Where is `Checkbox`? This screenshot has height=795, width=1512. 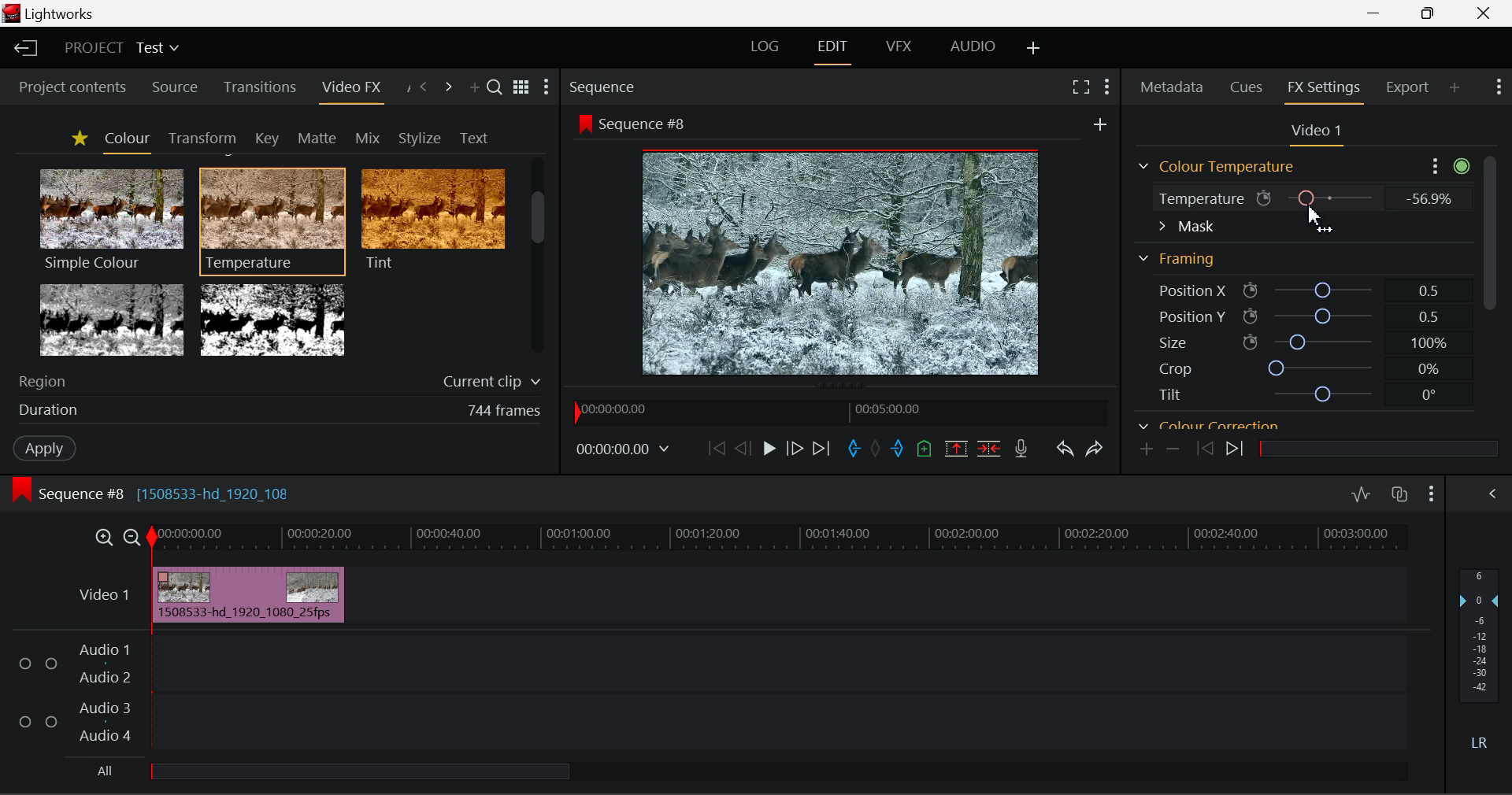
Checkbox is located at coordinates (26, 662).